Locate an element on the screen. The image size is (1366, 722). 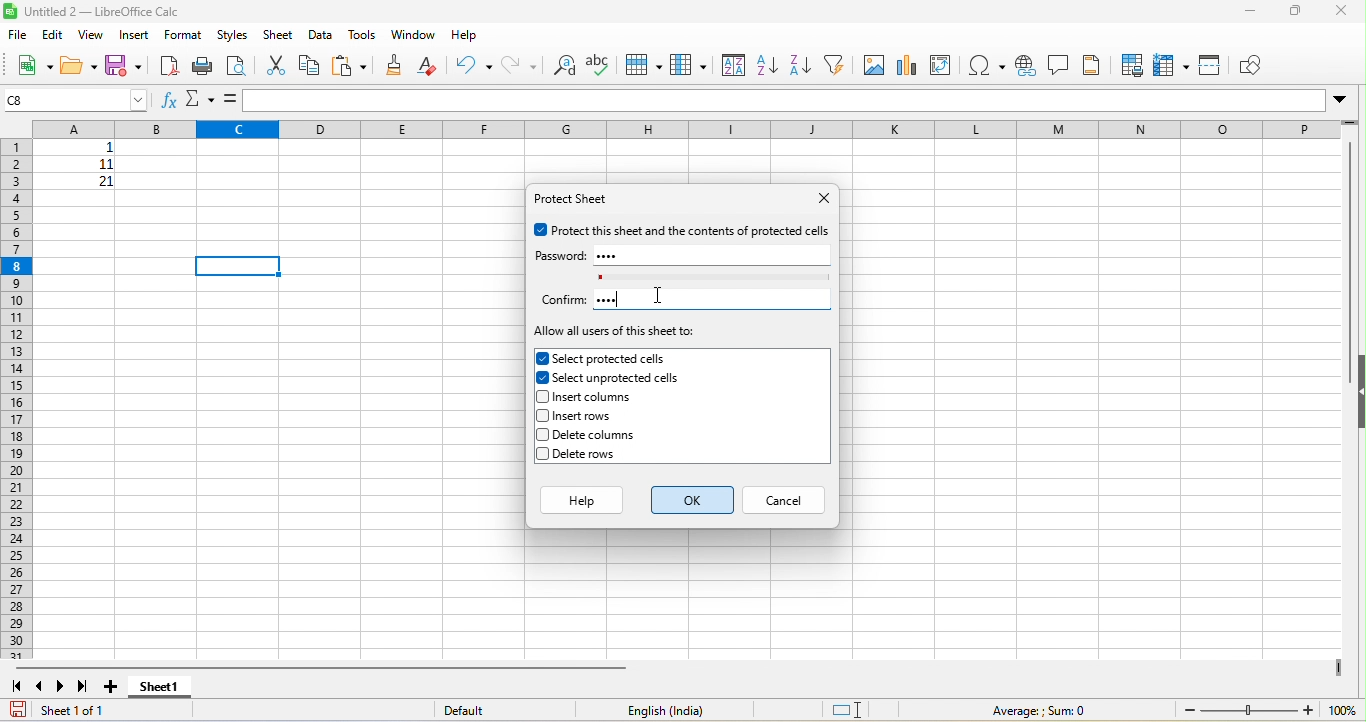
delete columns is located at coordinates (615, 437).